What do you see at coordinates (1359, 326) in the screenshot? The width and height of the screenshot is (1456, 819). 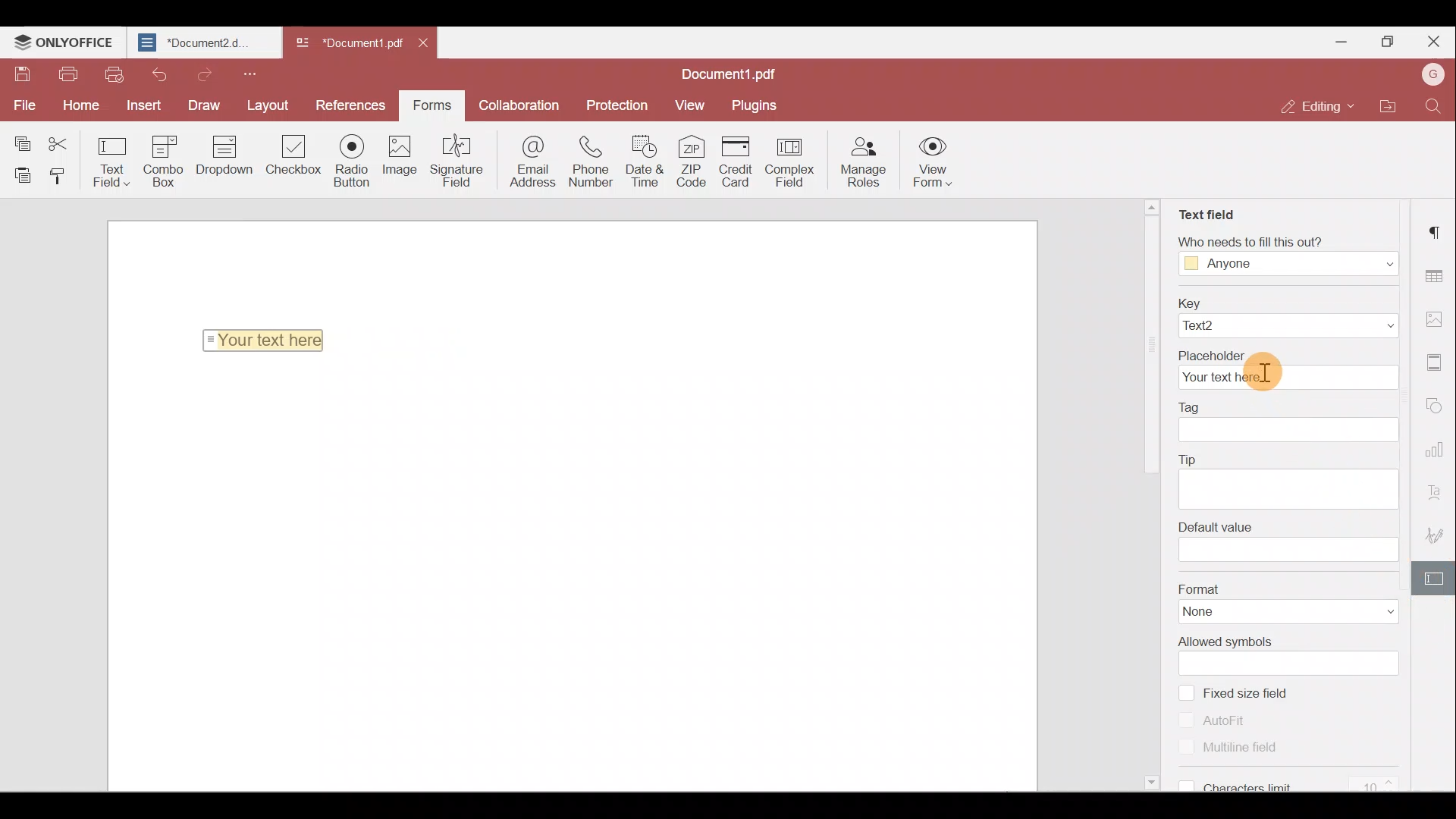 I see `Dropdown` at bounding box center [1359, 326].